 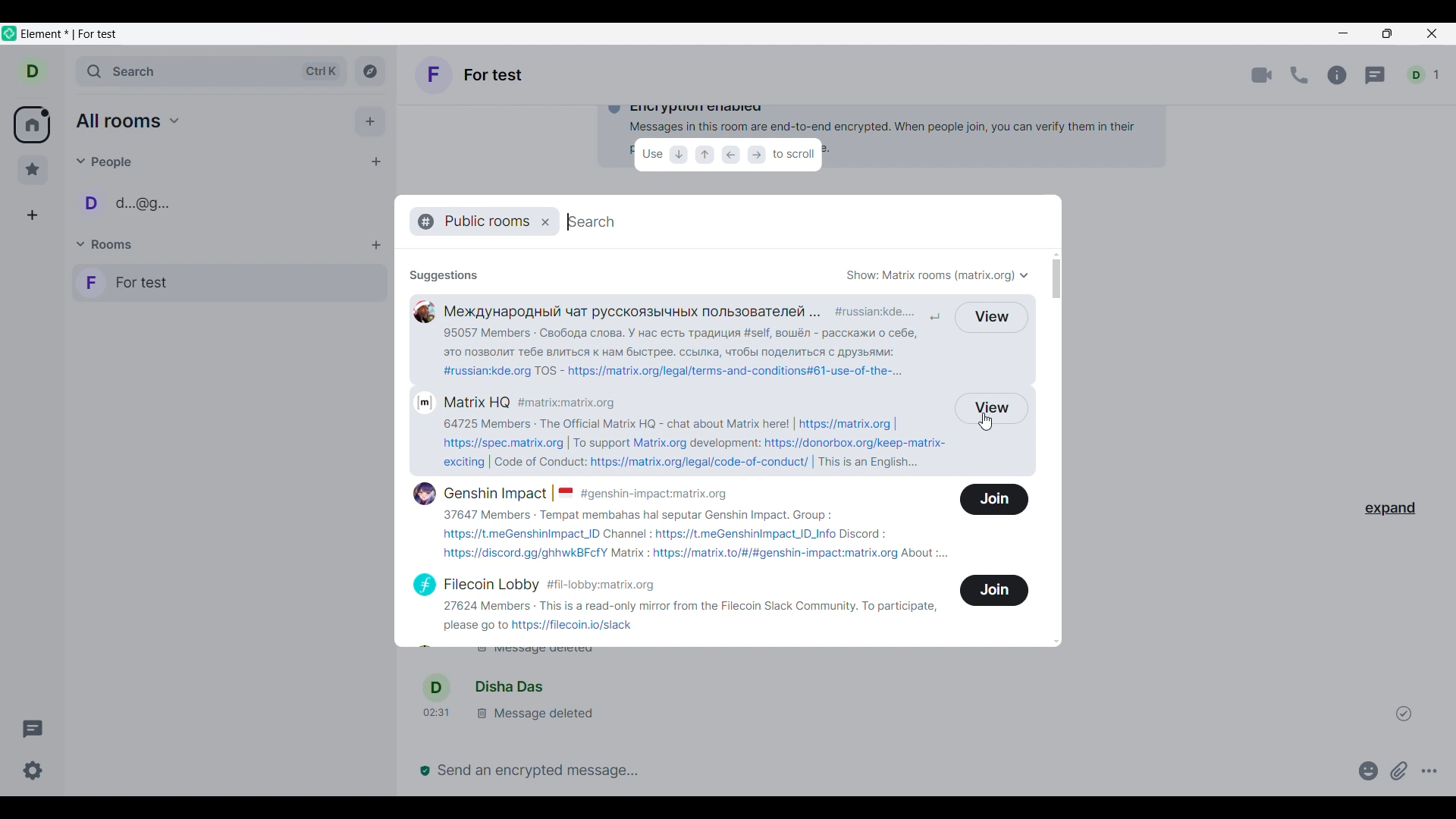 I want to click on Home, so click(x=31, y=124).